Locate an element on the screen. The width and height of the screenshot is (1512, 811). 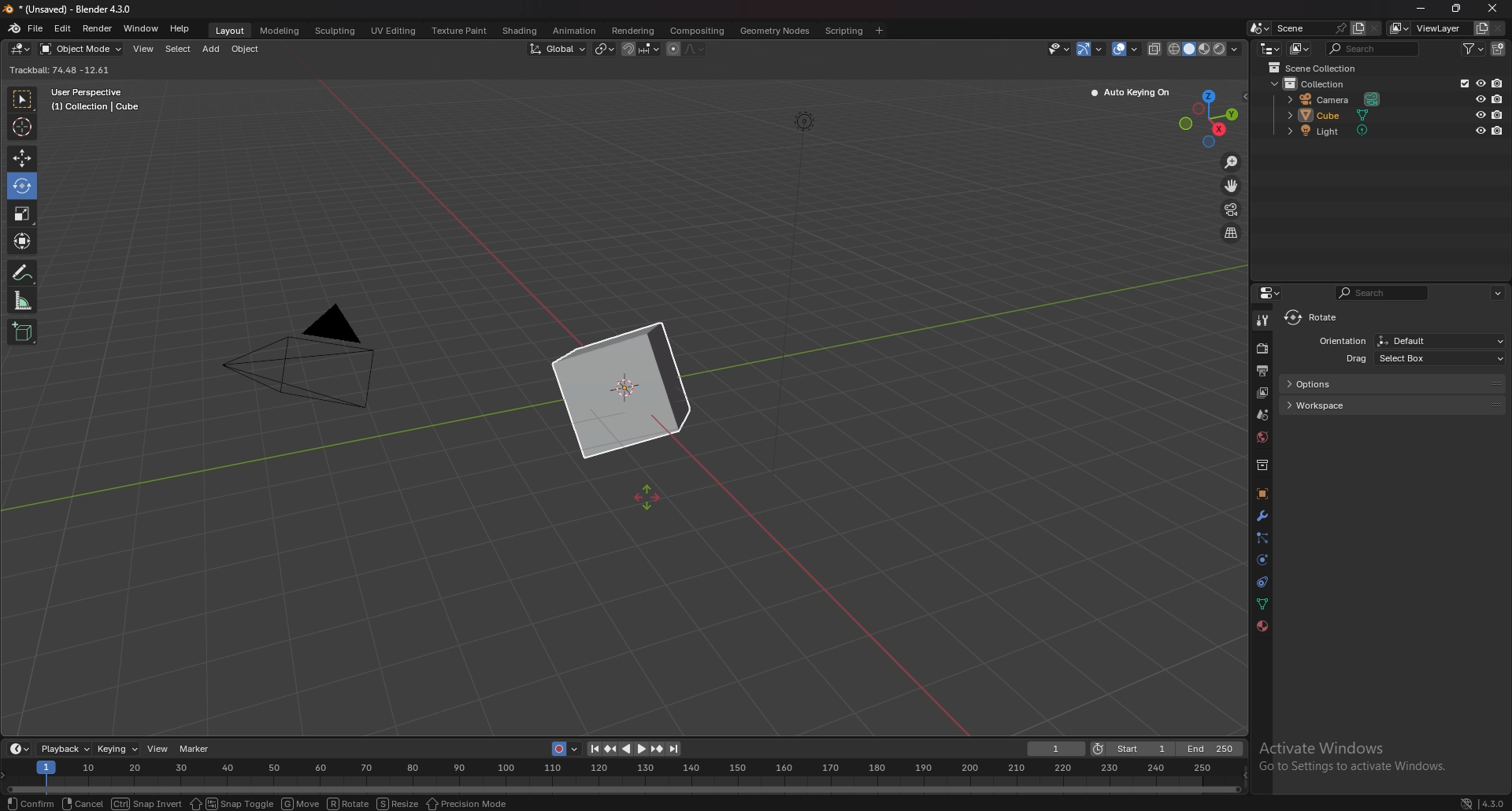
disable in render is located at coordinates (1498, 83).